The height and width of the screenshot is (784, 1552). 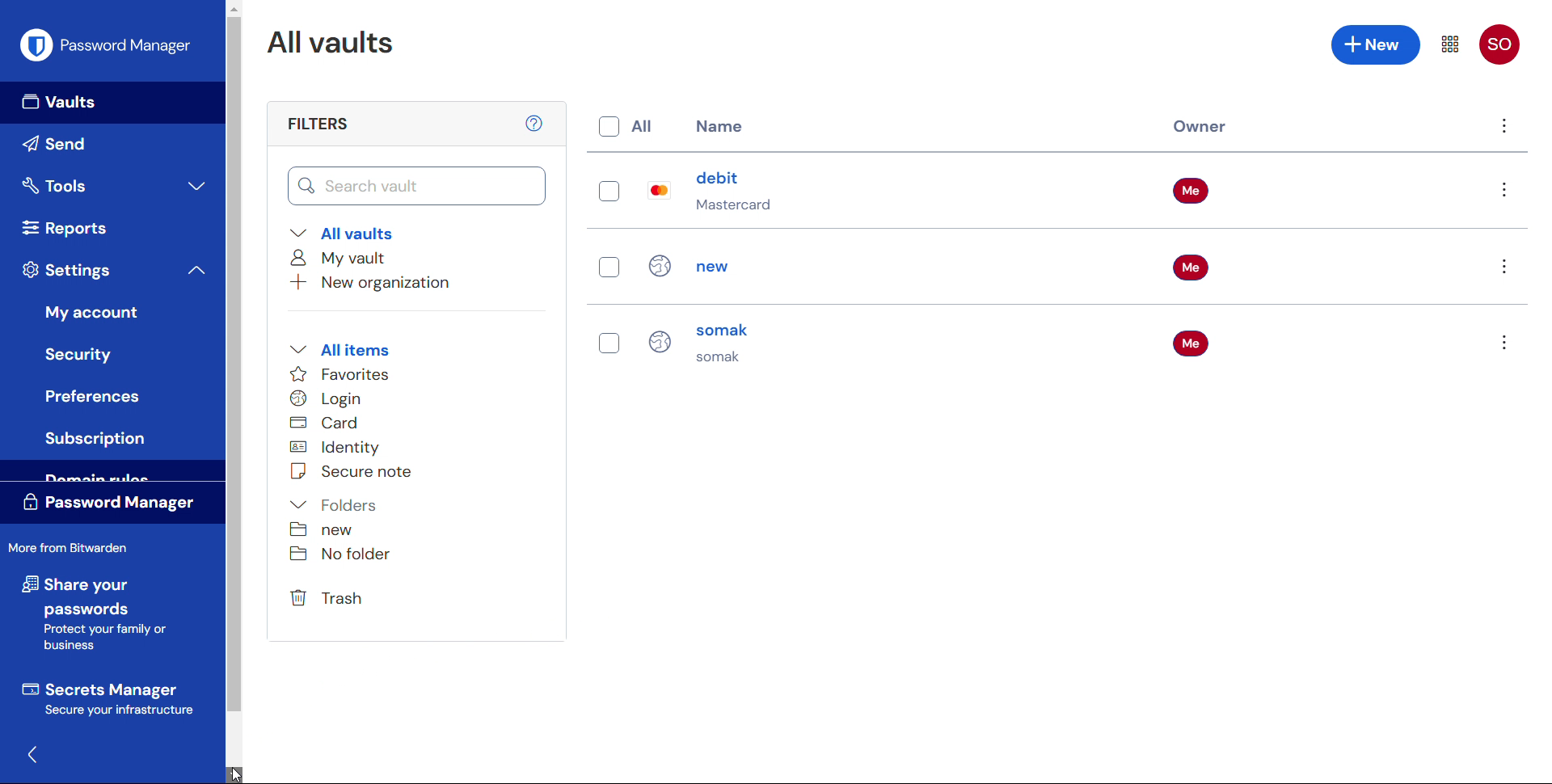 What do you see at coordinates (327, 422) in the screenshot?
I see `card ` at bounding box center [327, 422].